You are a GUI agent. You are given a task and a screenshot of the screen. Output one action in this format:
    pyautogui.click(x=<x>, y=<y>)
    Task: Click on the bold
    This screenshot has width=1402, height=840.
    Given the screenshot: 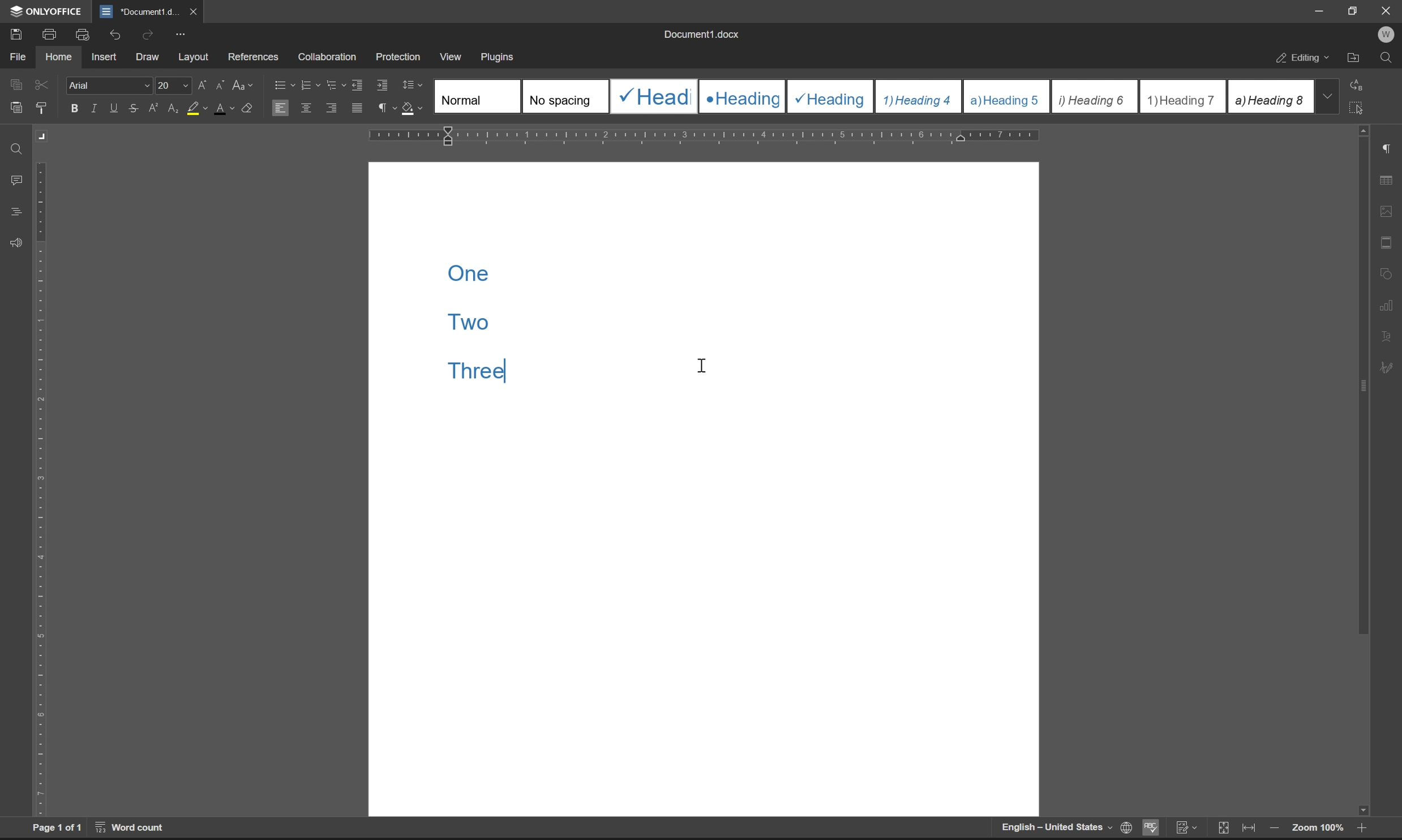 What is the action you would take?
    pyautogui.click(x=75, y=109)
    